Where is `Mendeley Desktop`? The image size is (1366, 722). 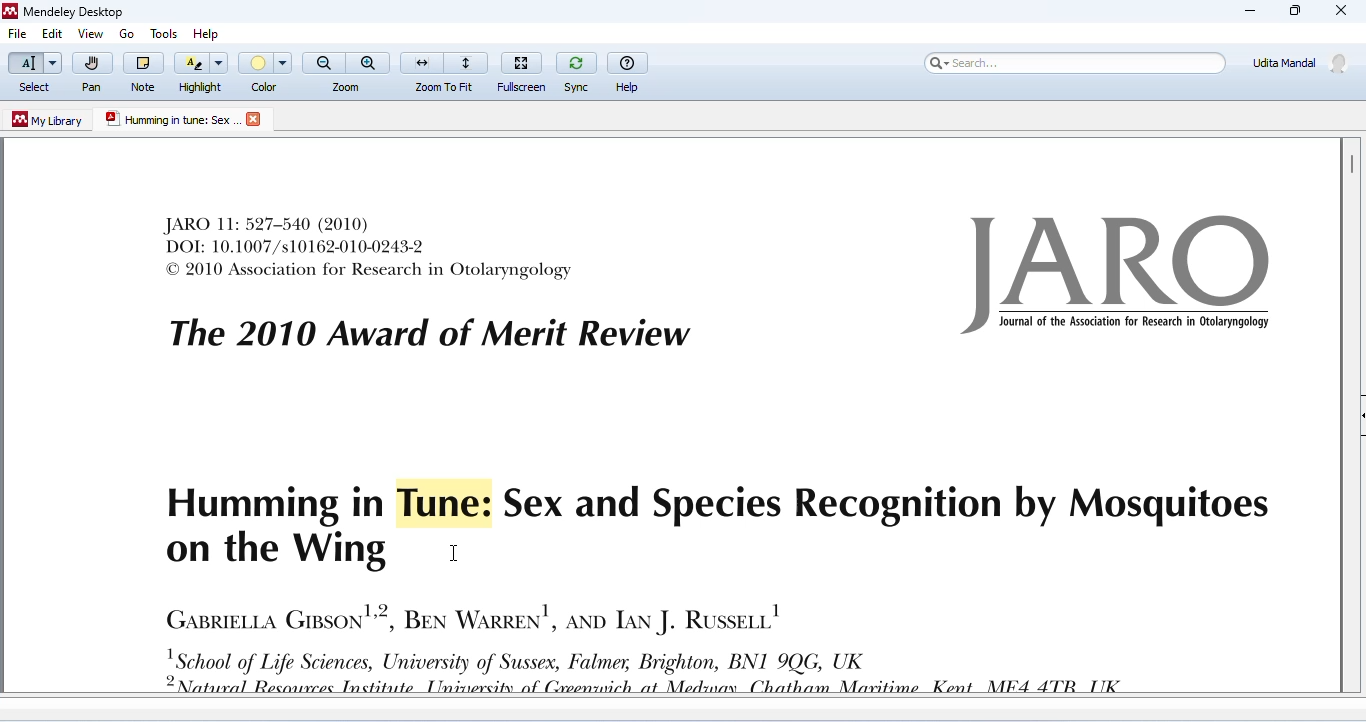 Mendeley Desktop is located at coordinates (63, 13).